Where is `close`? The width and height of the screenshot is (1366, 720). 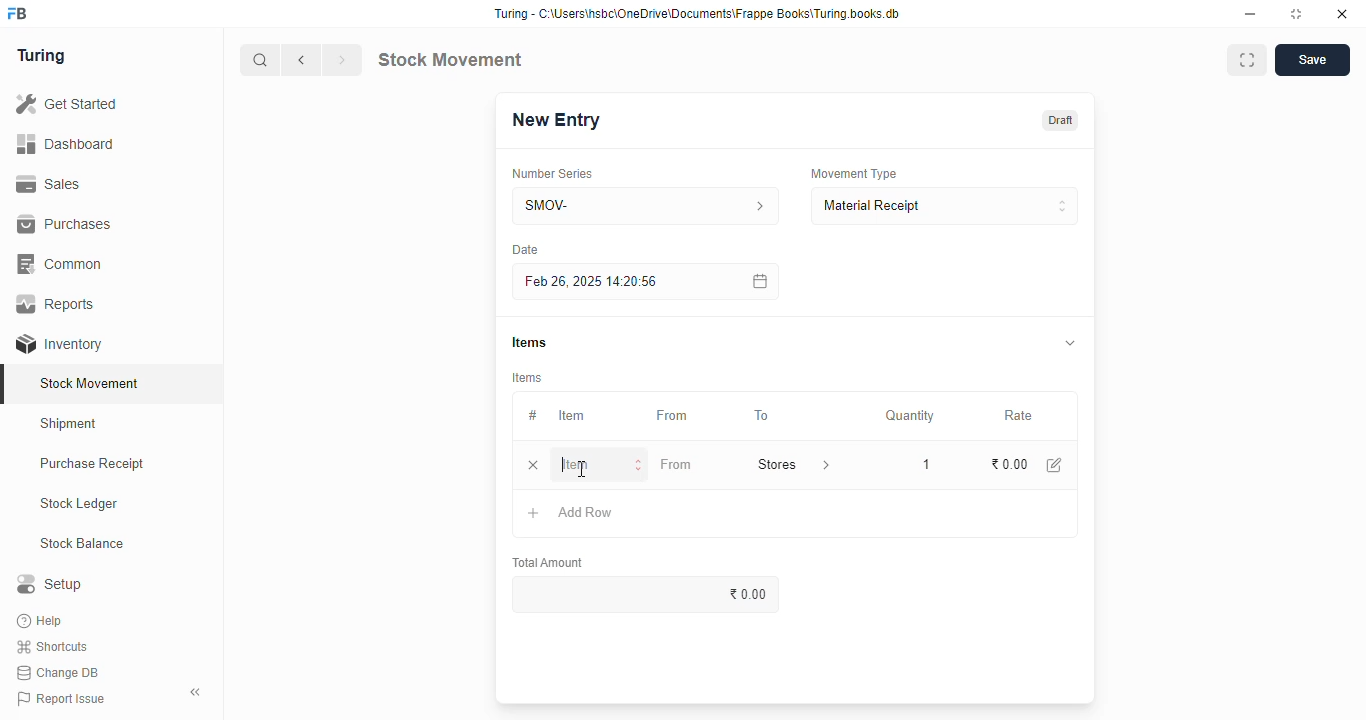 close is located at coordinates (1342, 14).